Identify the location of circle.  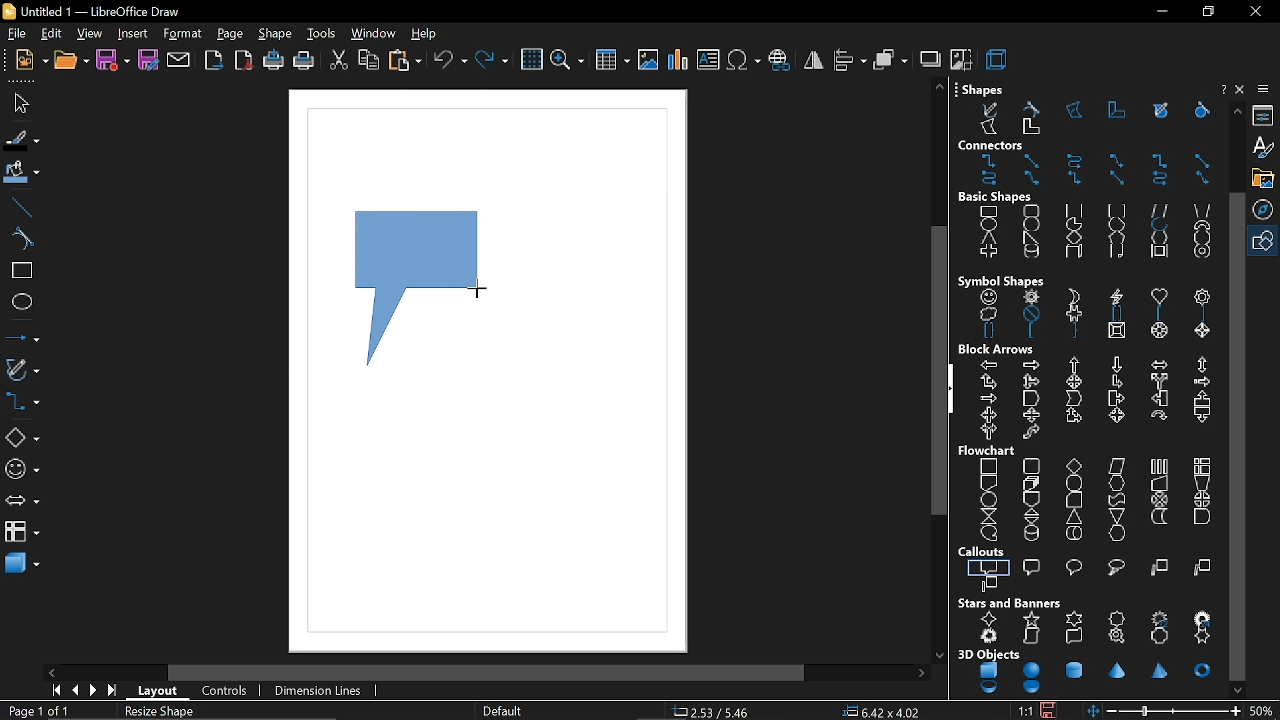
(1032, 224).